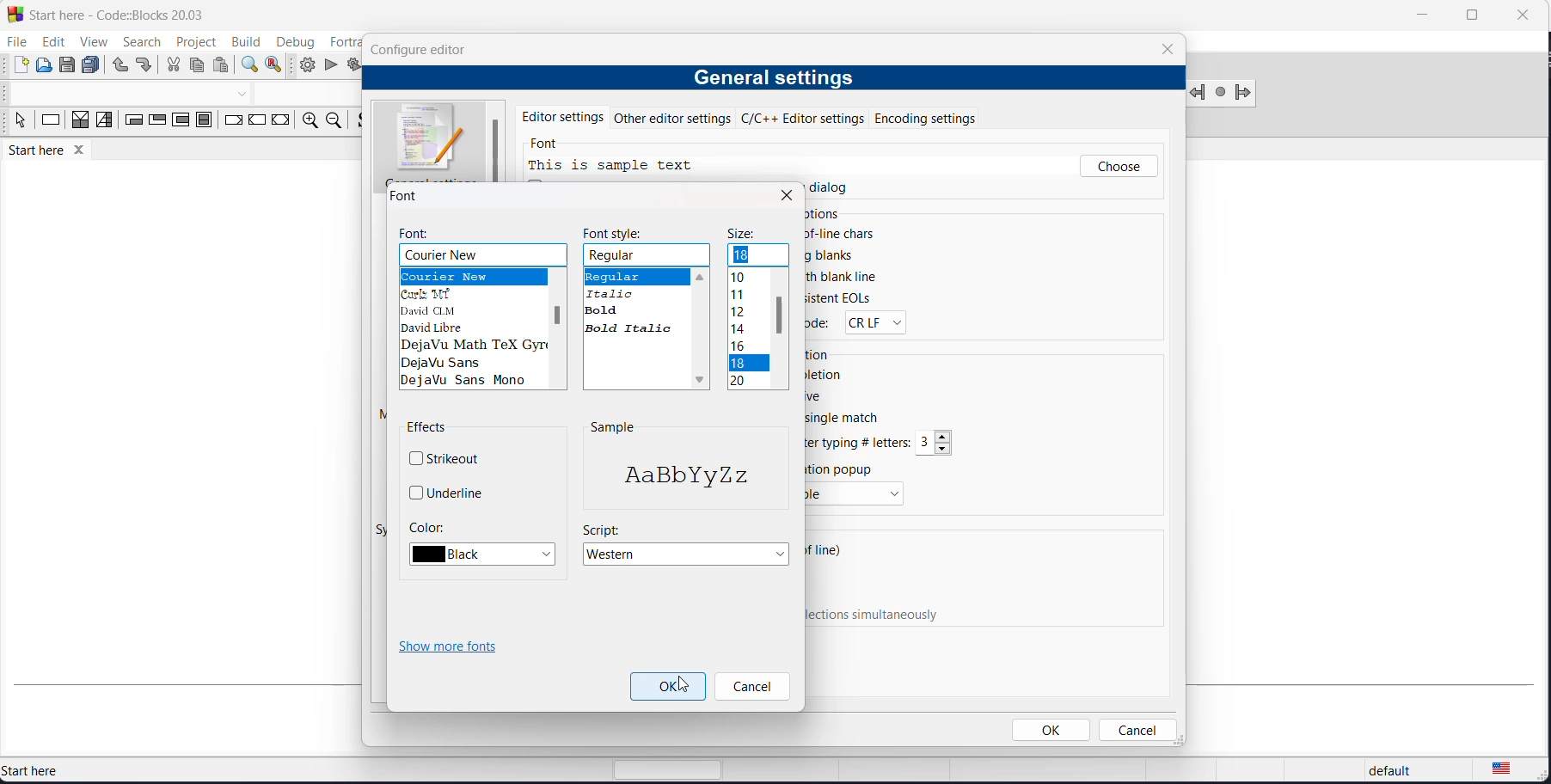 This screenshot has height=784, width=1551. Describe the element at coordinates (840, 187) in the screenshot. I see `dialog` at that location.